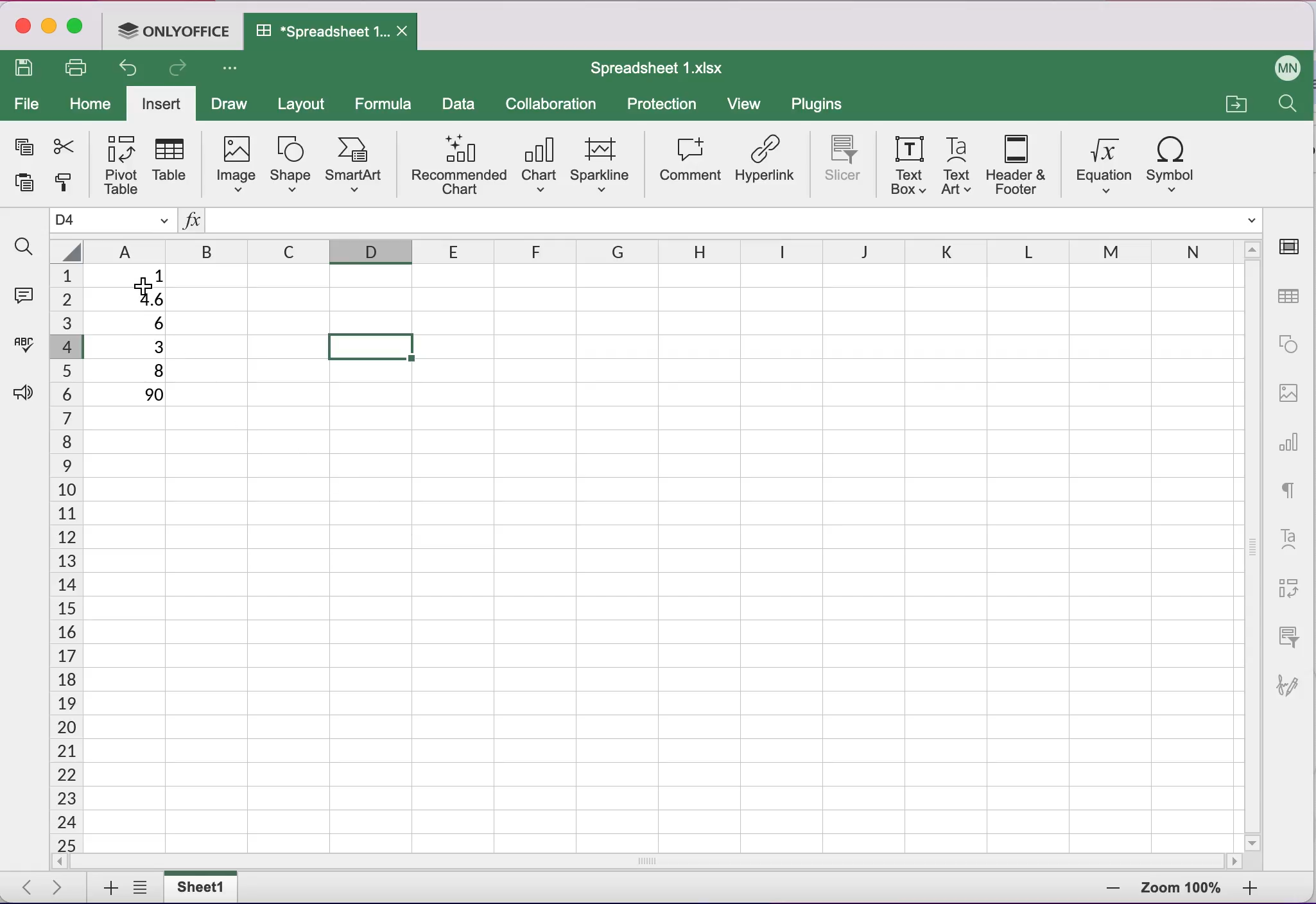 The height and width of the screenshot is (904, 1316). What do you see at coordinates (1290, 592) in the screenshot?
I see `pivot table` at bounding box center [1290, 592].